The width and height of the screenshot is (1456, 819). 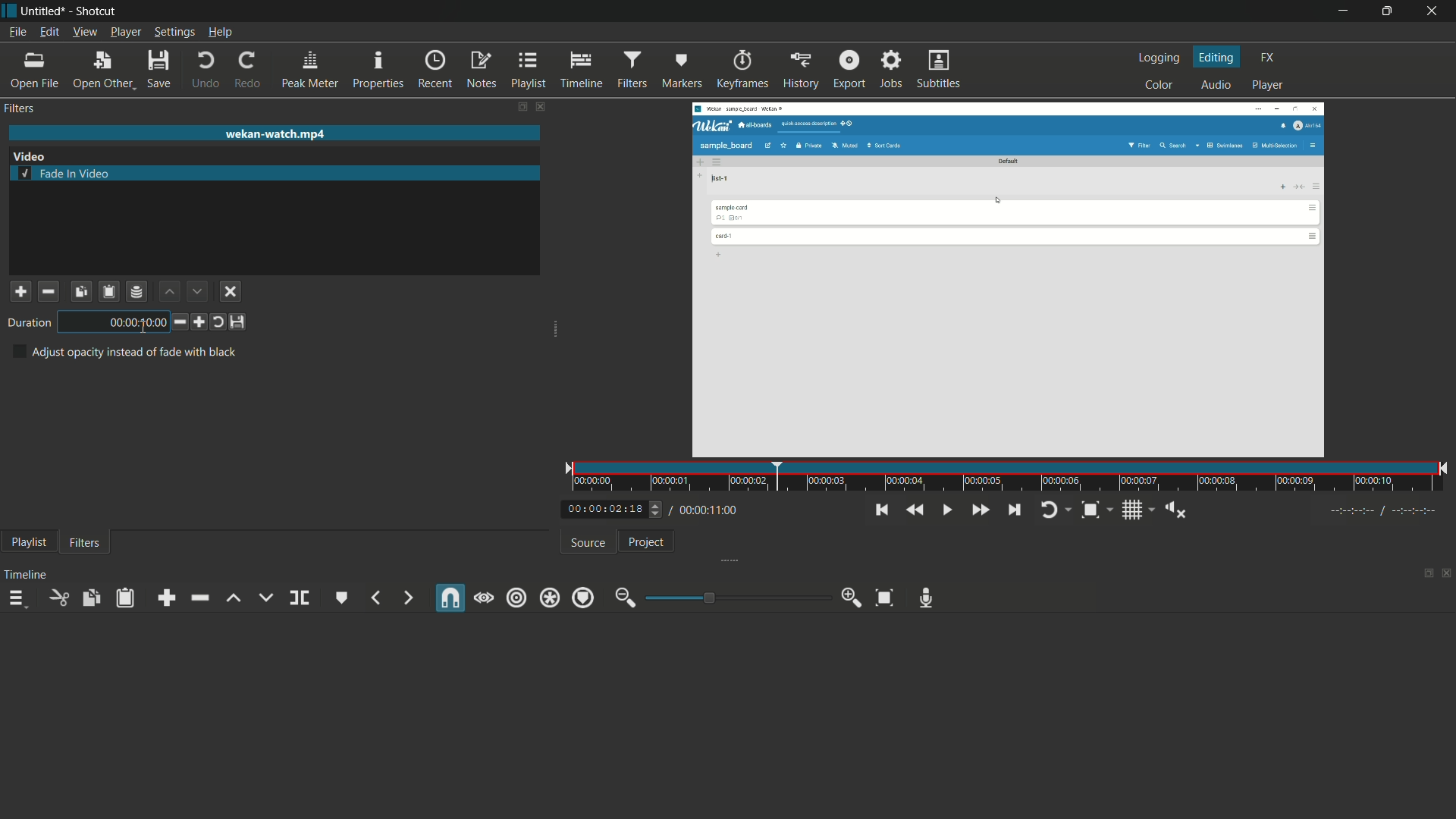 What do you see at coordinates (9, 11) in the screenshot?
I see `app icon` at bounding box center [9, 11].